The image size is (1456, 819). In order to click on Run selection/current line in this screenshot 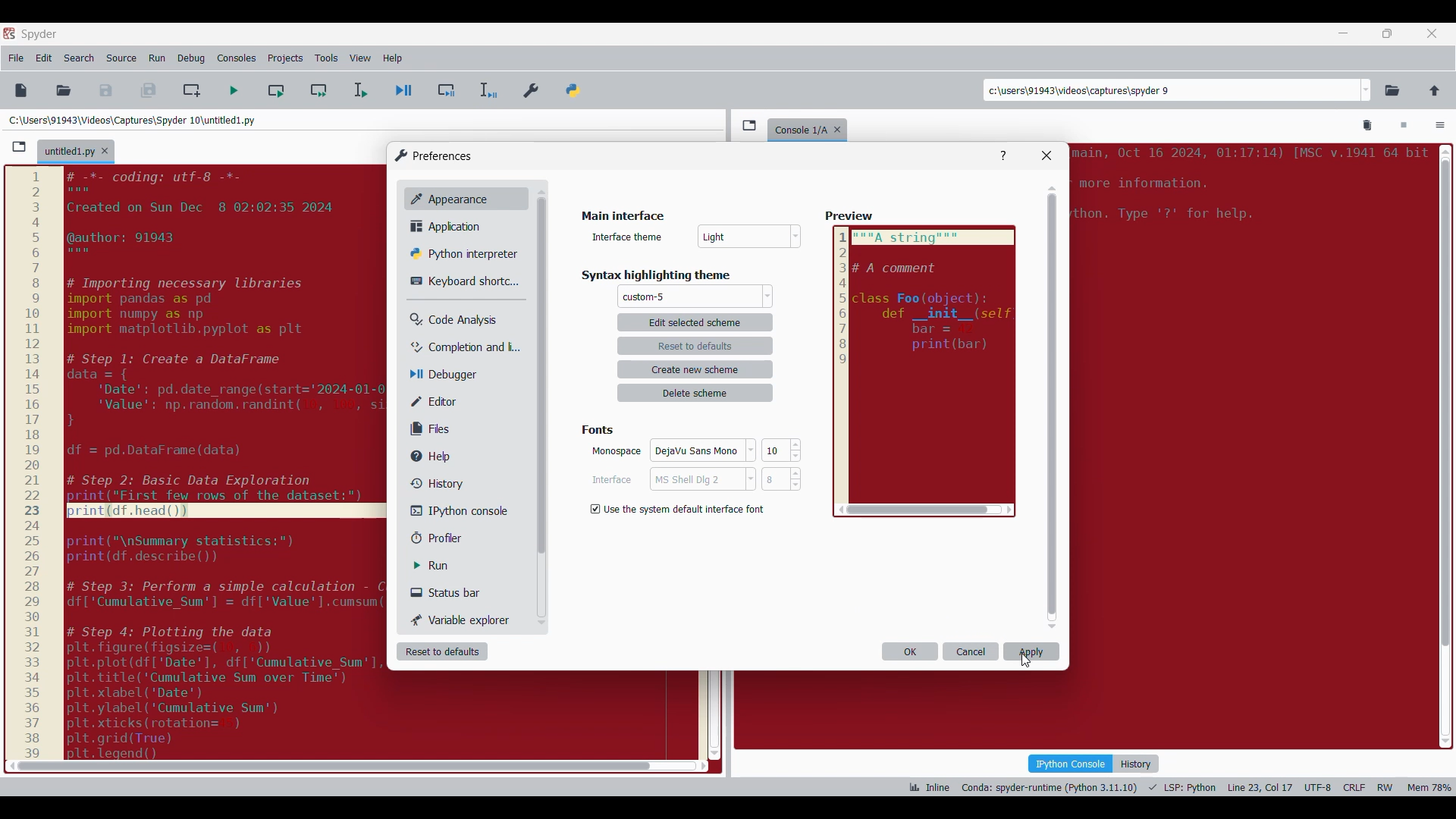, I will do `click(359, 90)`.